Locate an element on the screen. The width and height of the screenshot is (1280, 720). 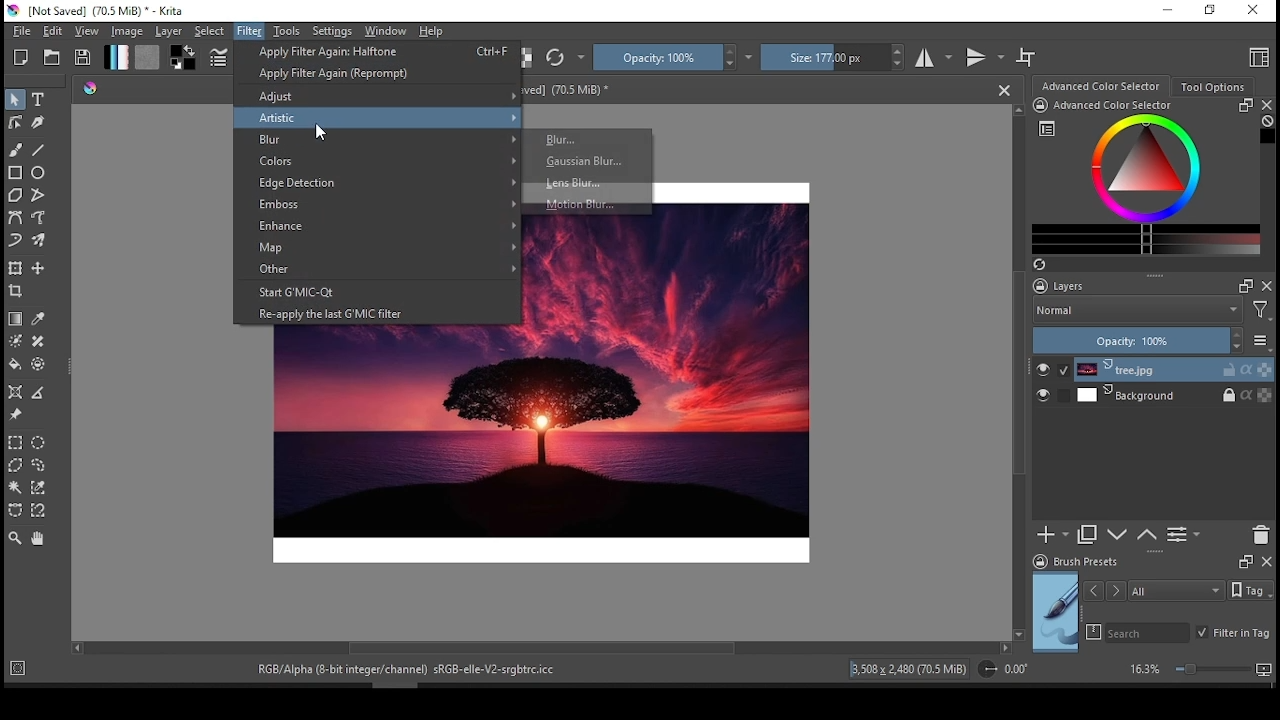
tags is located at coordinates (1153, 590).